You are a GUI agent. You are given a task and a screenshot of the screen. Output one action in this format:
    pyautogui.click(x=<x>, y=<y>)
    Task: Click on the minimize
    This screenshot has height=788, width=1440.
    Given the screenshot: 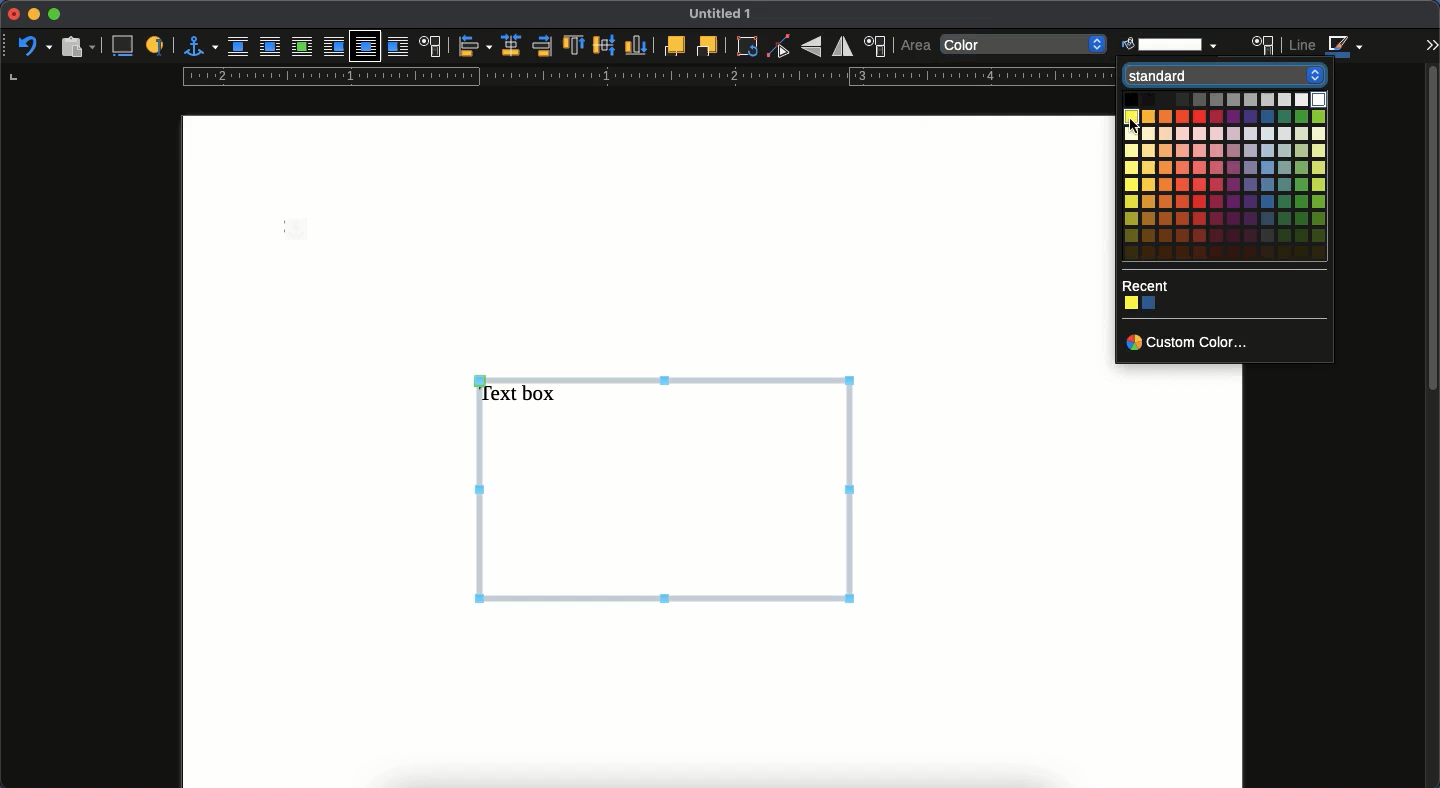 What is the action you would take?
    pyautogui.click(x=33, y=15)
    